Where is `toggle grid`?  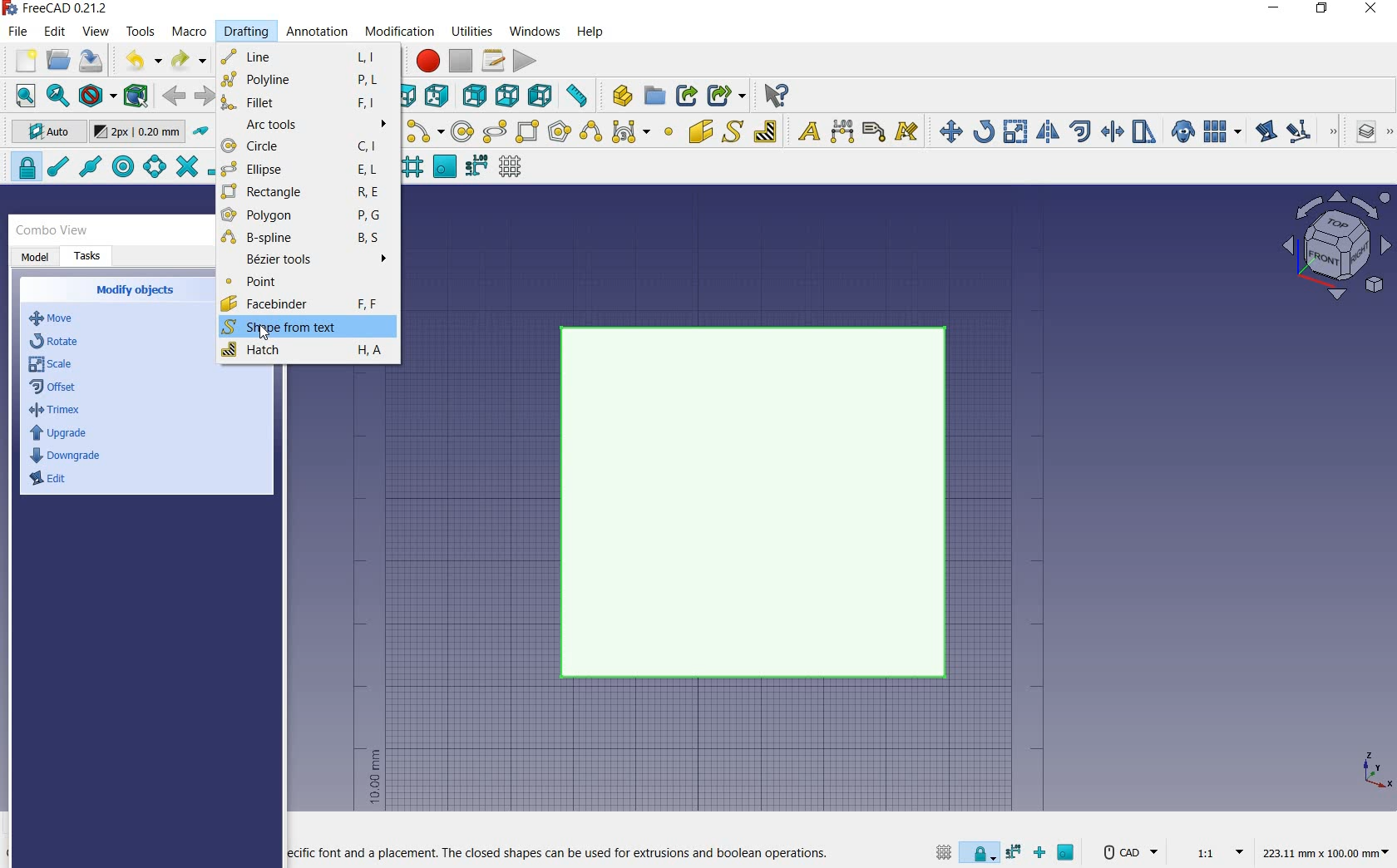 toggle grid is located at coordinates (941, 851).